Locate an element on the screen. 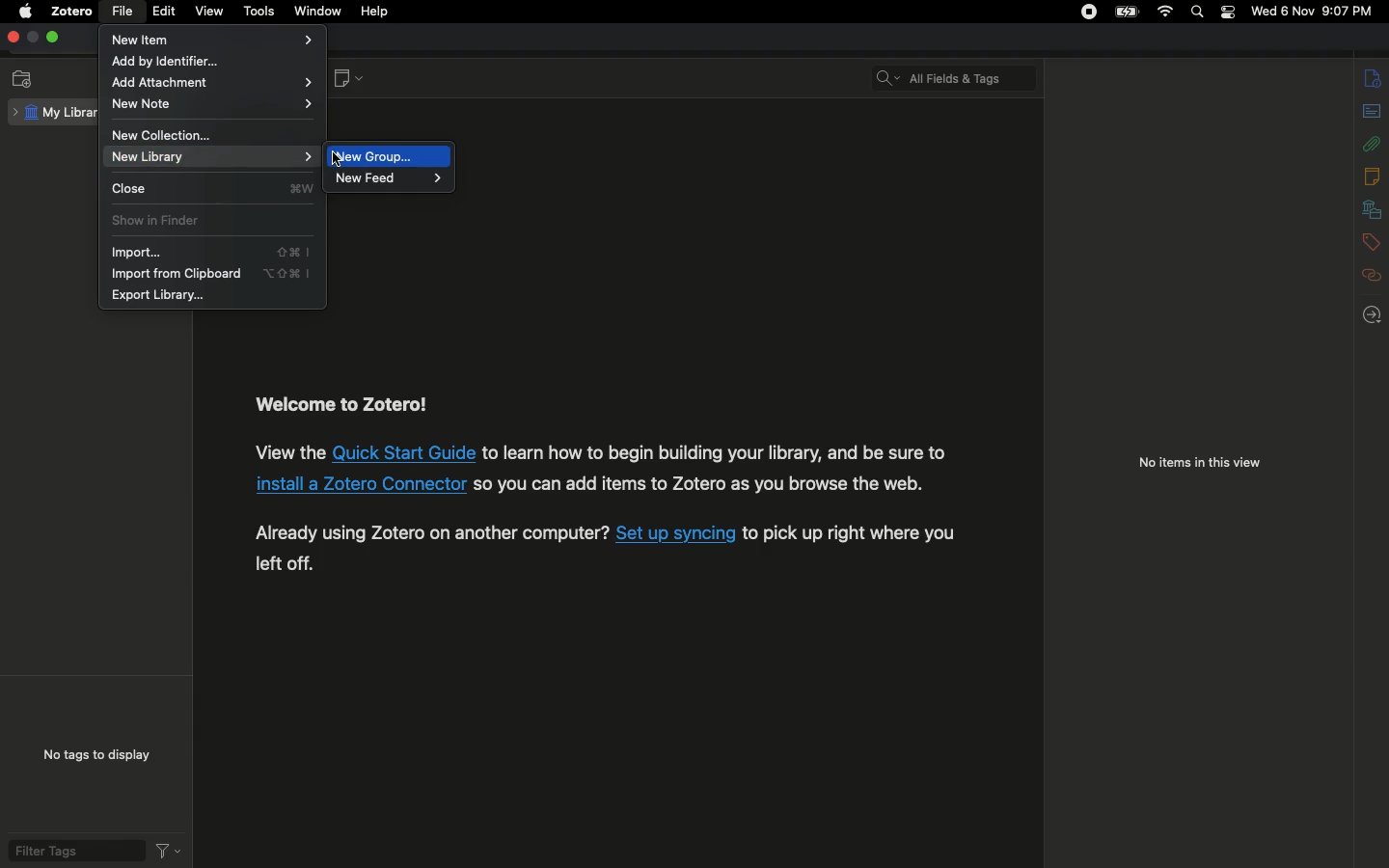 The height and width of the screenshot is (868, 1389). New library  is located at coordinates (206, 159).